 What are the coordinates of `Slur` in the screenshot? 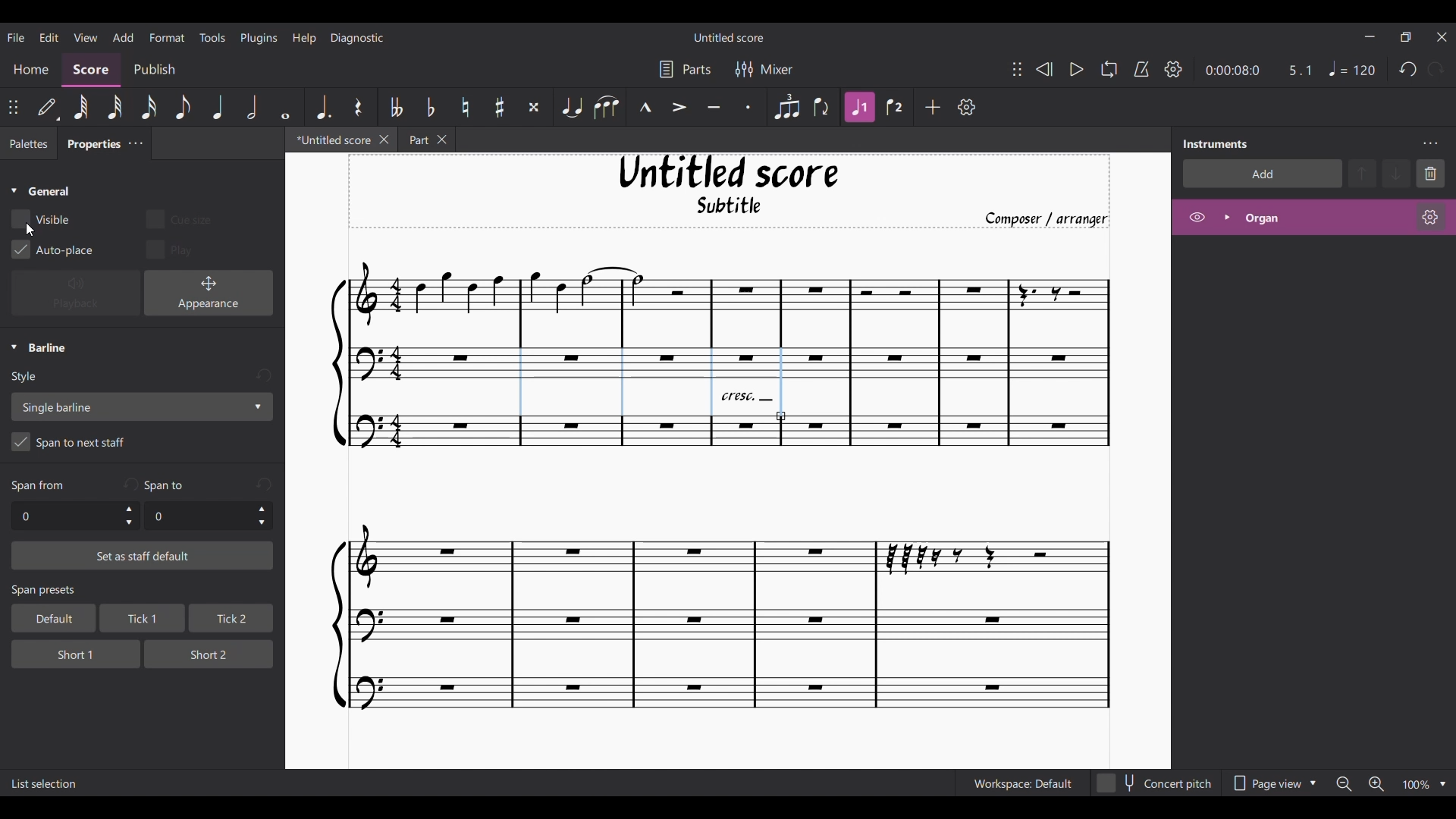 It's located at (606, 107).